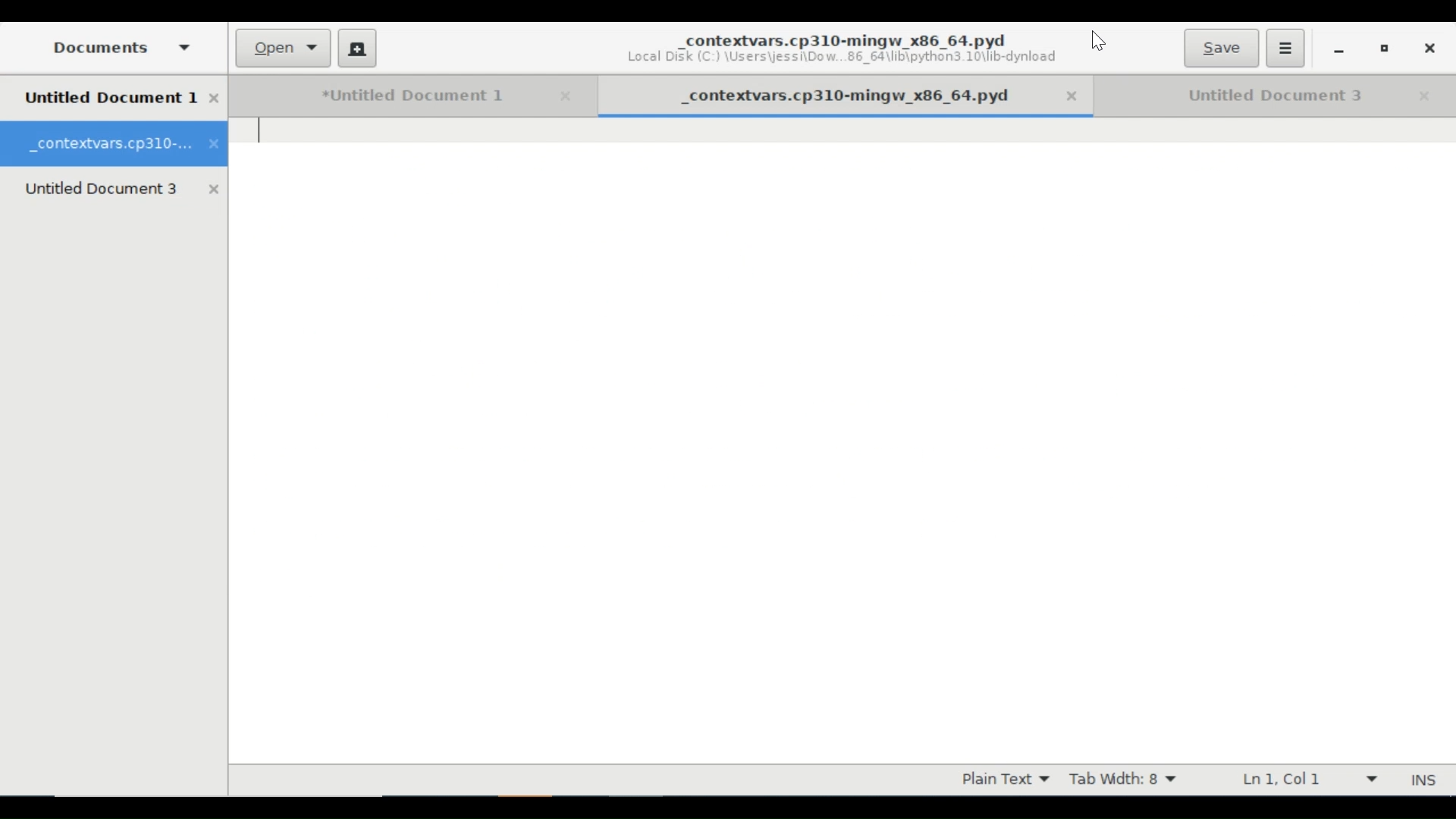 This screenshot has height=819, width=1456. Describe the element at coordinates (1128, 780) in the screenshot. I see `Tab Width` at that location.